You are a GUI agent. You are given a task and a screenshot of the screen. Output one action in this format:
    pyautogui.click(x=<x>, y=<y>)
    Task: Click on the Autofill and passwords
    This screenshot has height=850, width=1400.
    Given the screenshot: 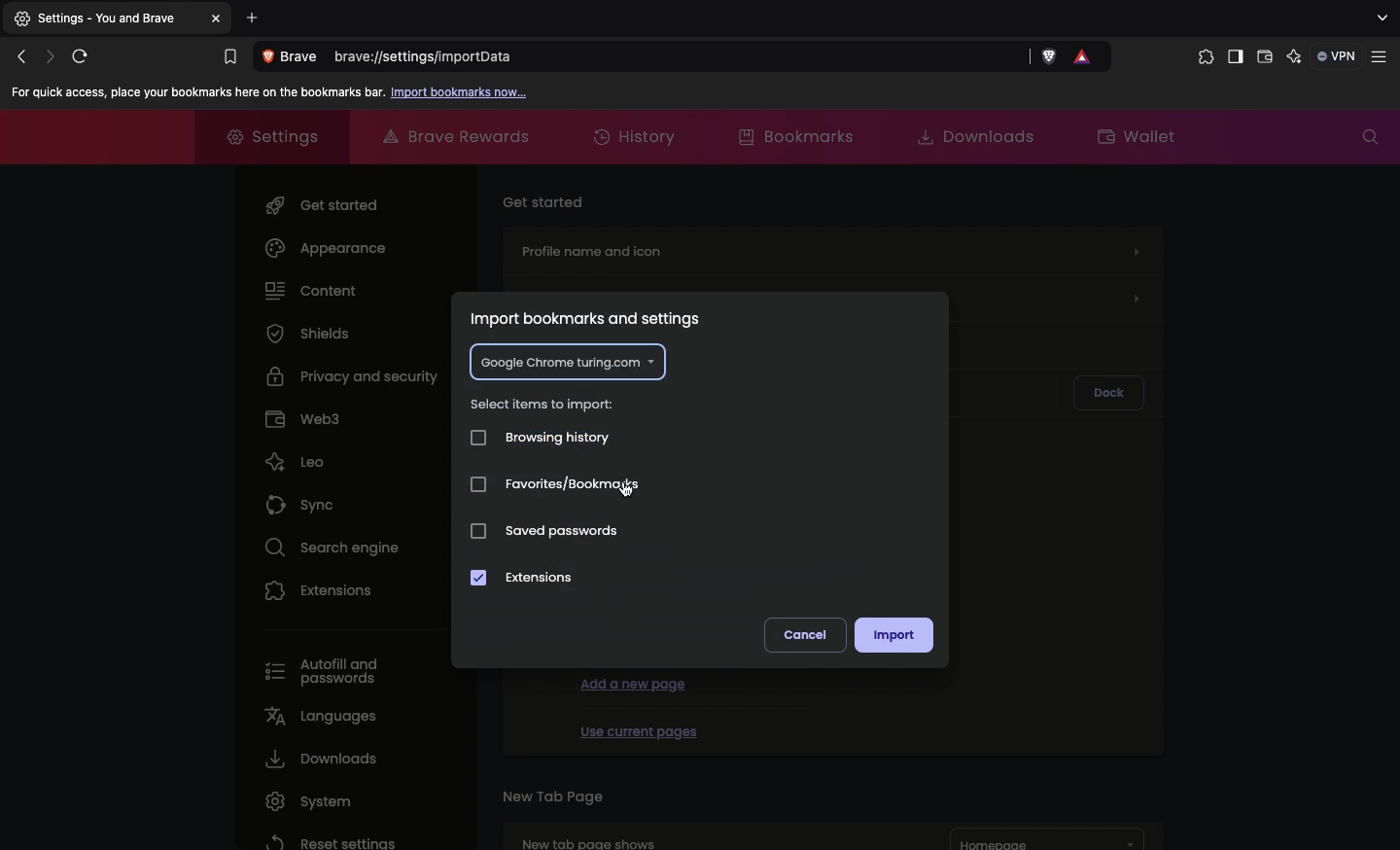 What is the action you would take?
    pyautogui.click(x=330, y=673)
    